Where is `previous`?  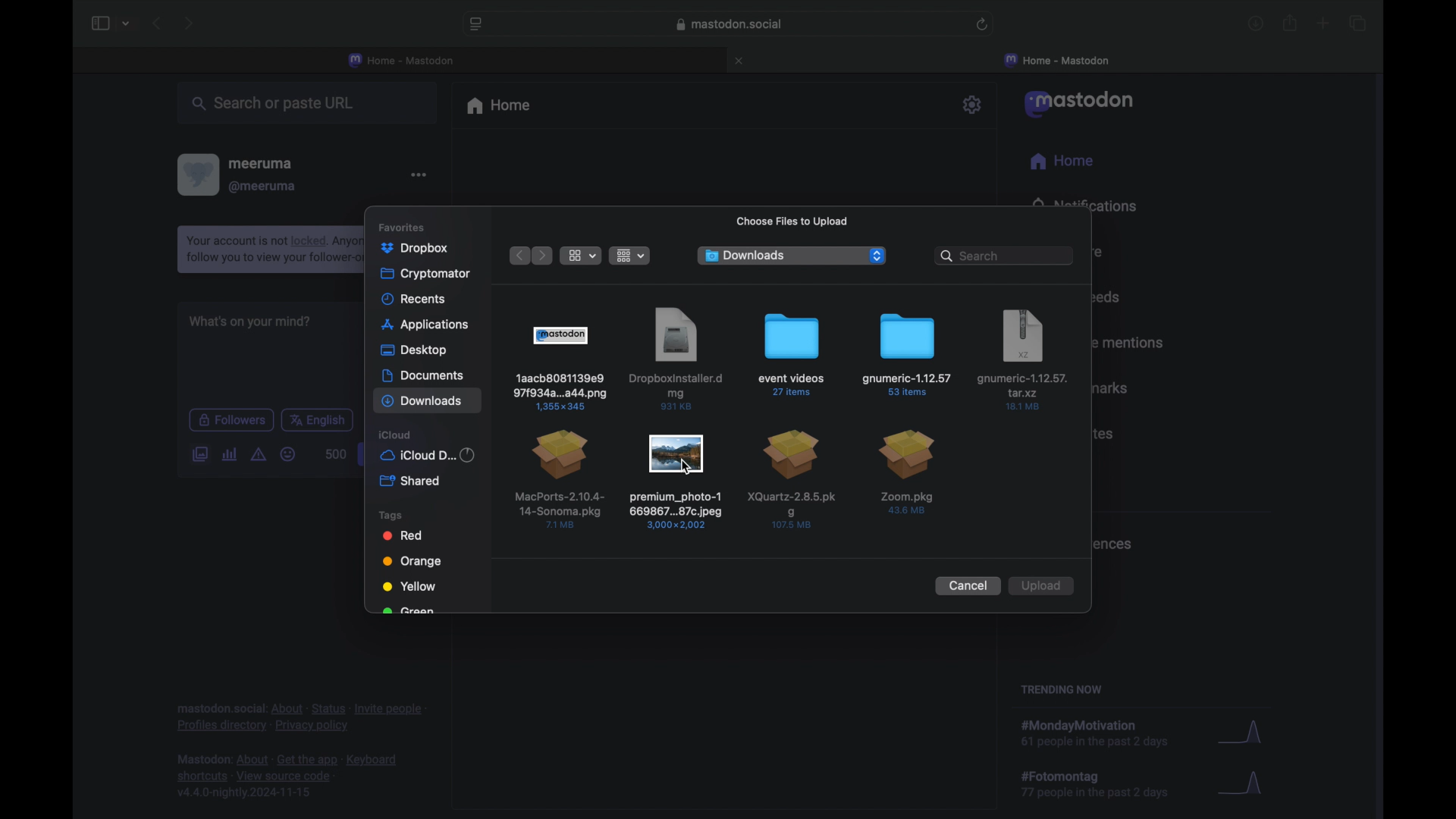
previous is located at coordinates (515, 255).